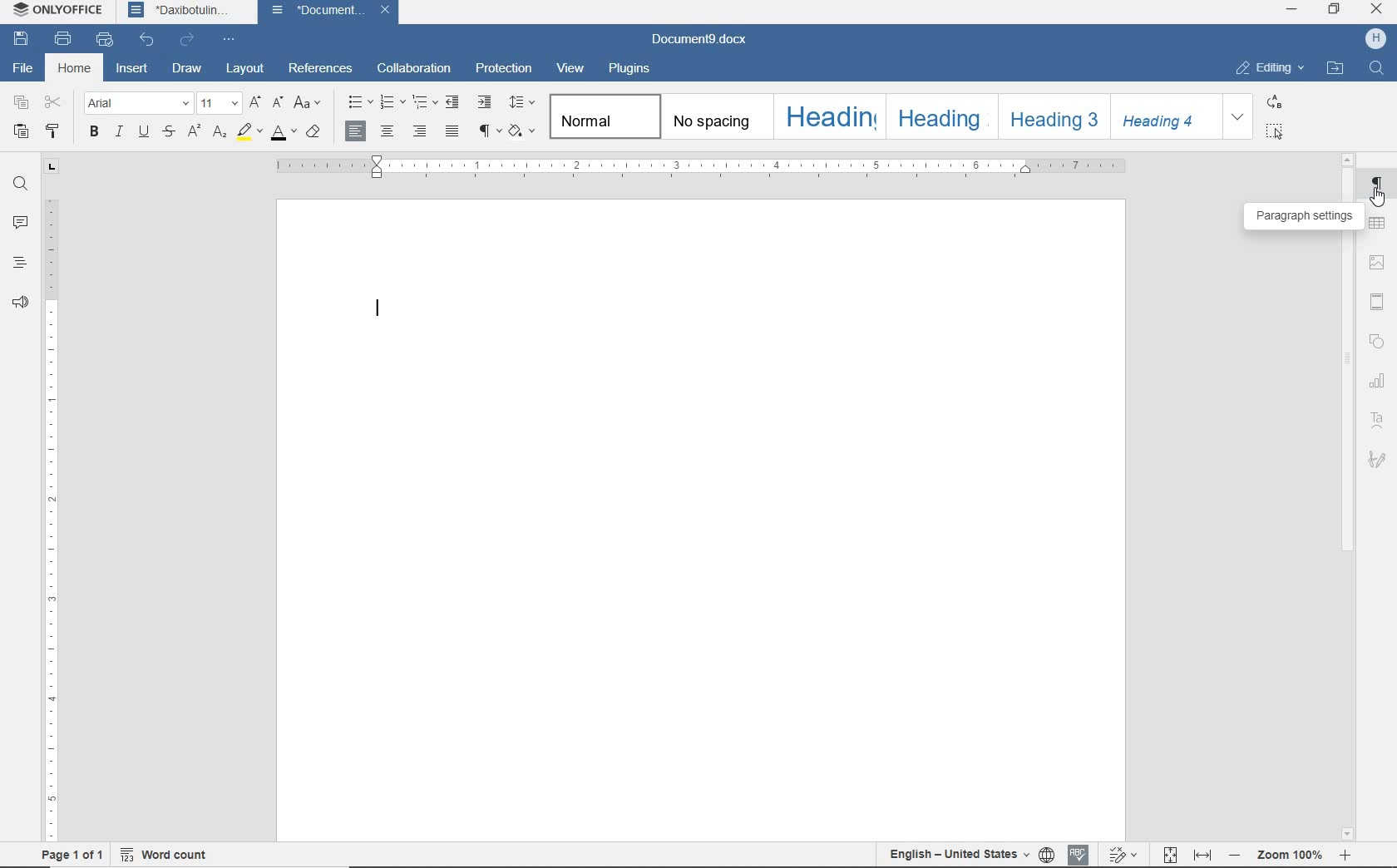 This screenshot has height=868, width=1397. I want to click on font size, so click(220, 104).